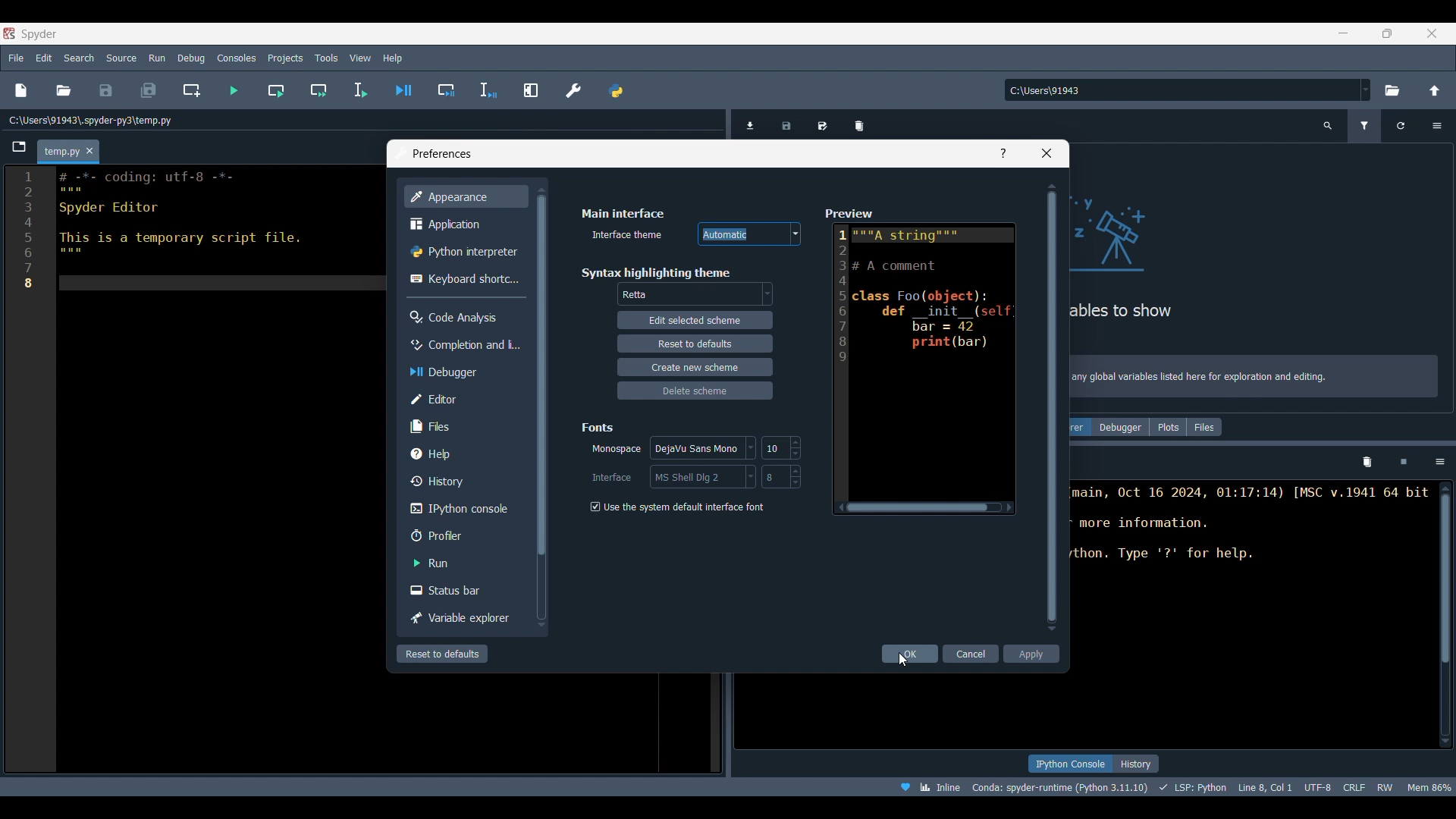 The height and width of the screenshot is (819, 1456). I want to click on File menu, so click(16, 55).